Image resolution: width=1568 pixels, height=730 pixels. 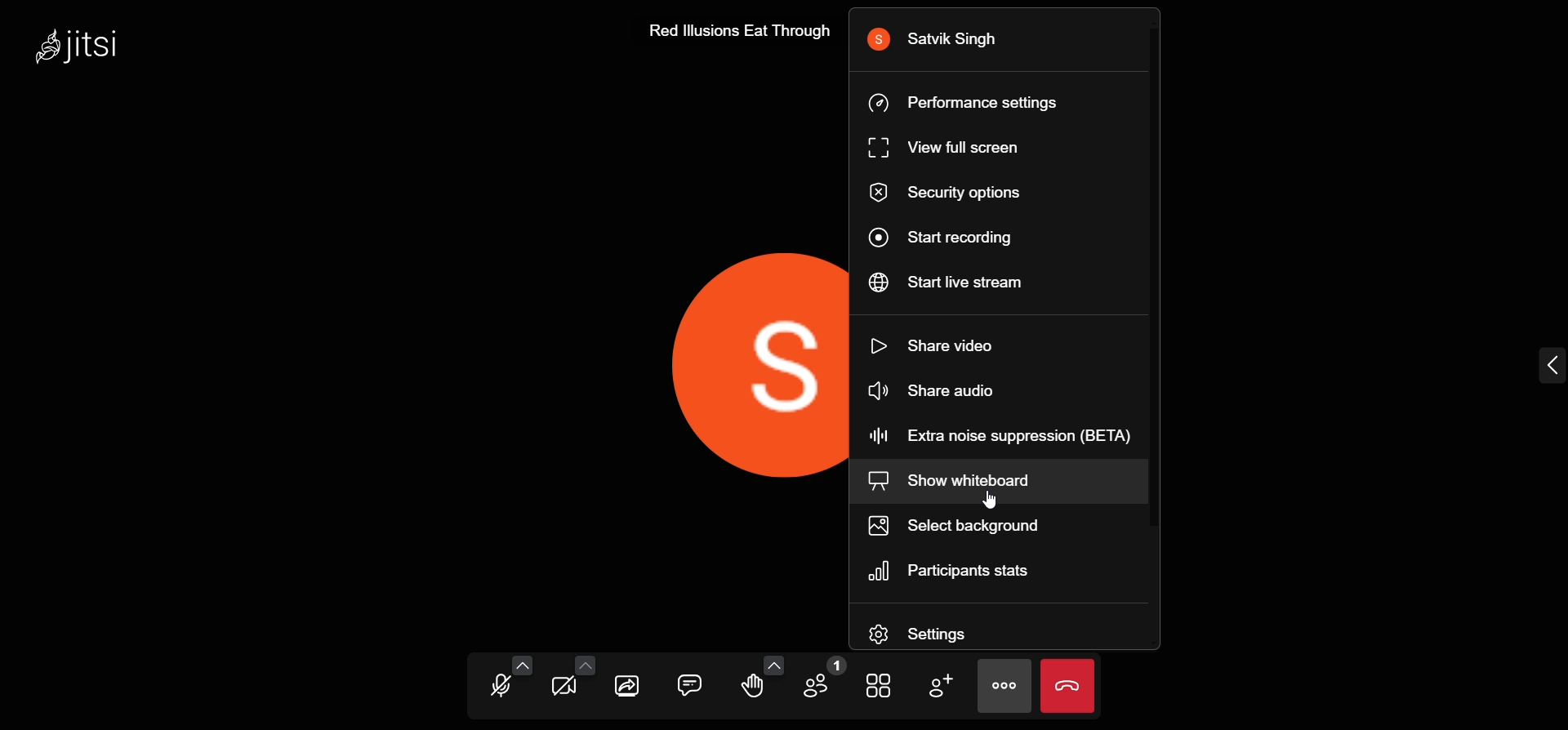 What do you see at coordinates (1548, 367) in the screenshot?
I see `expand` at bounding box center [1548, 367].